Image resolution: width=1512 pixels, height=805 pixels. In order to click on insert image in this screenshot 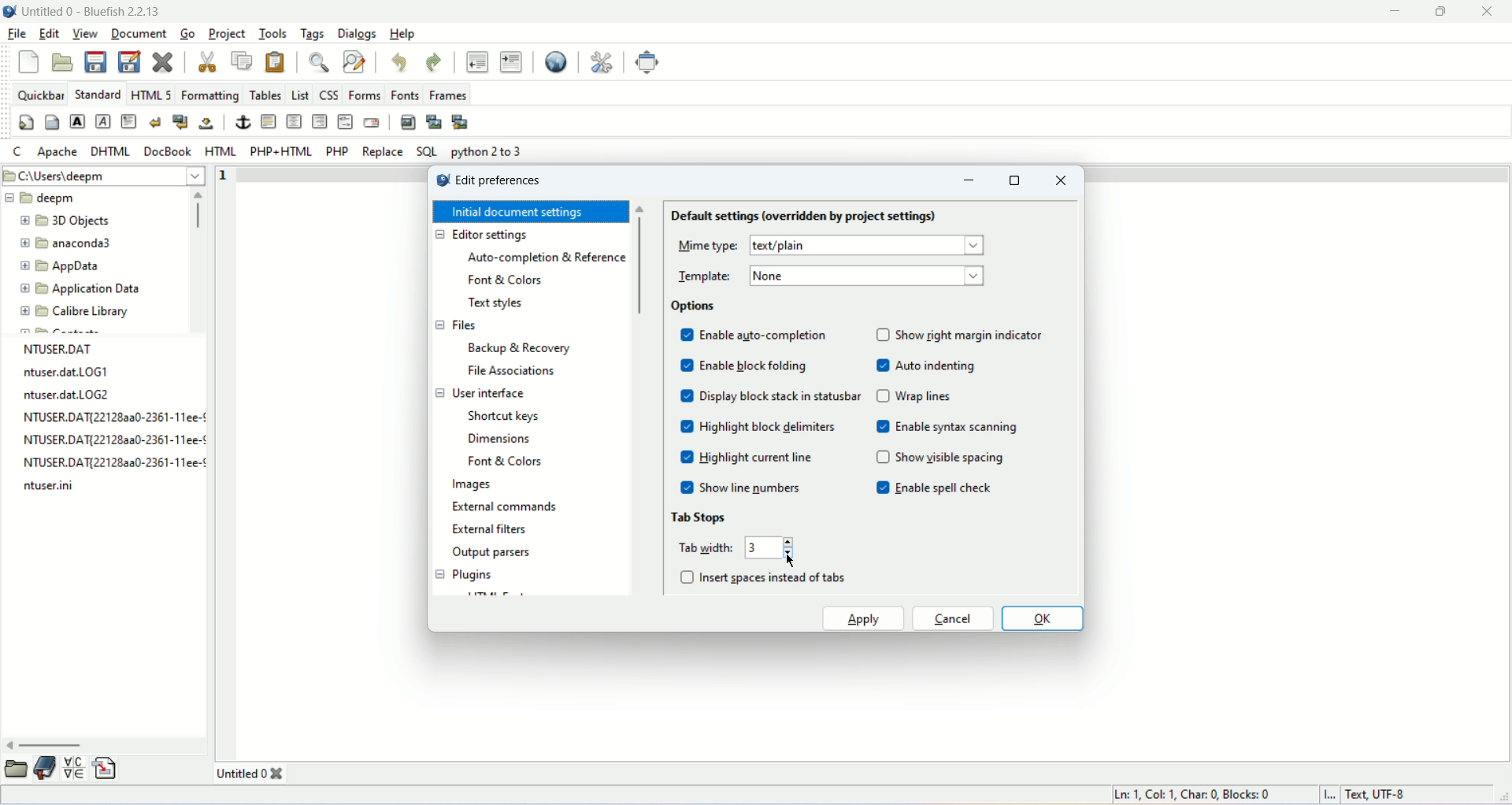, I will do `click(407, 121)`.